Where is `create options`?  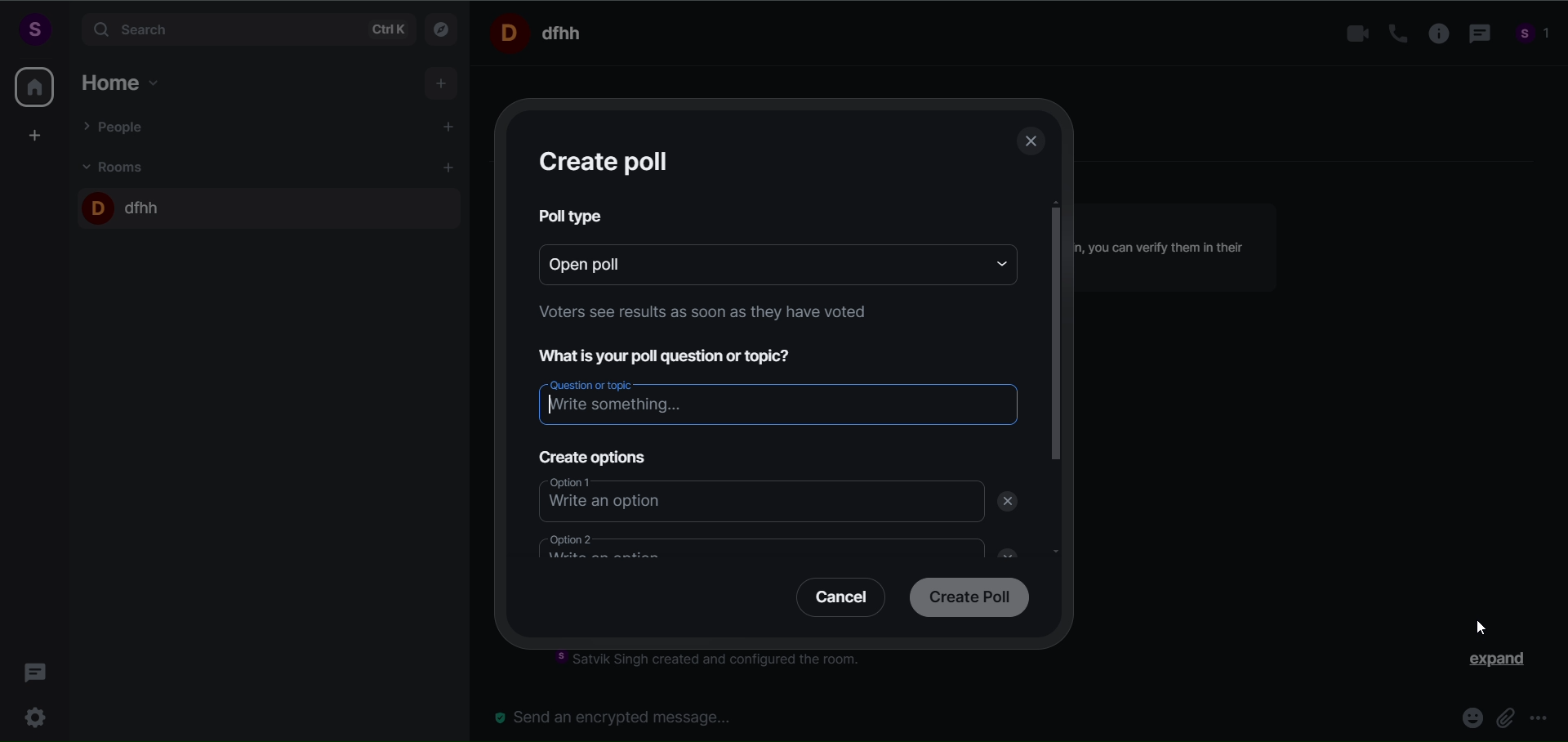
create options is located at coordinates (590, 454).